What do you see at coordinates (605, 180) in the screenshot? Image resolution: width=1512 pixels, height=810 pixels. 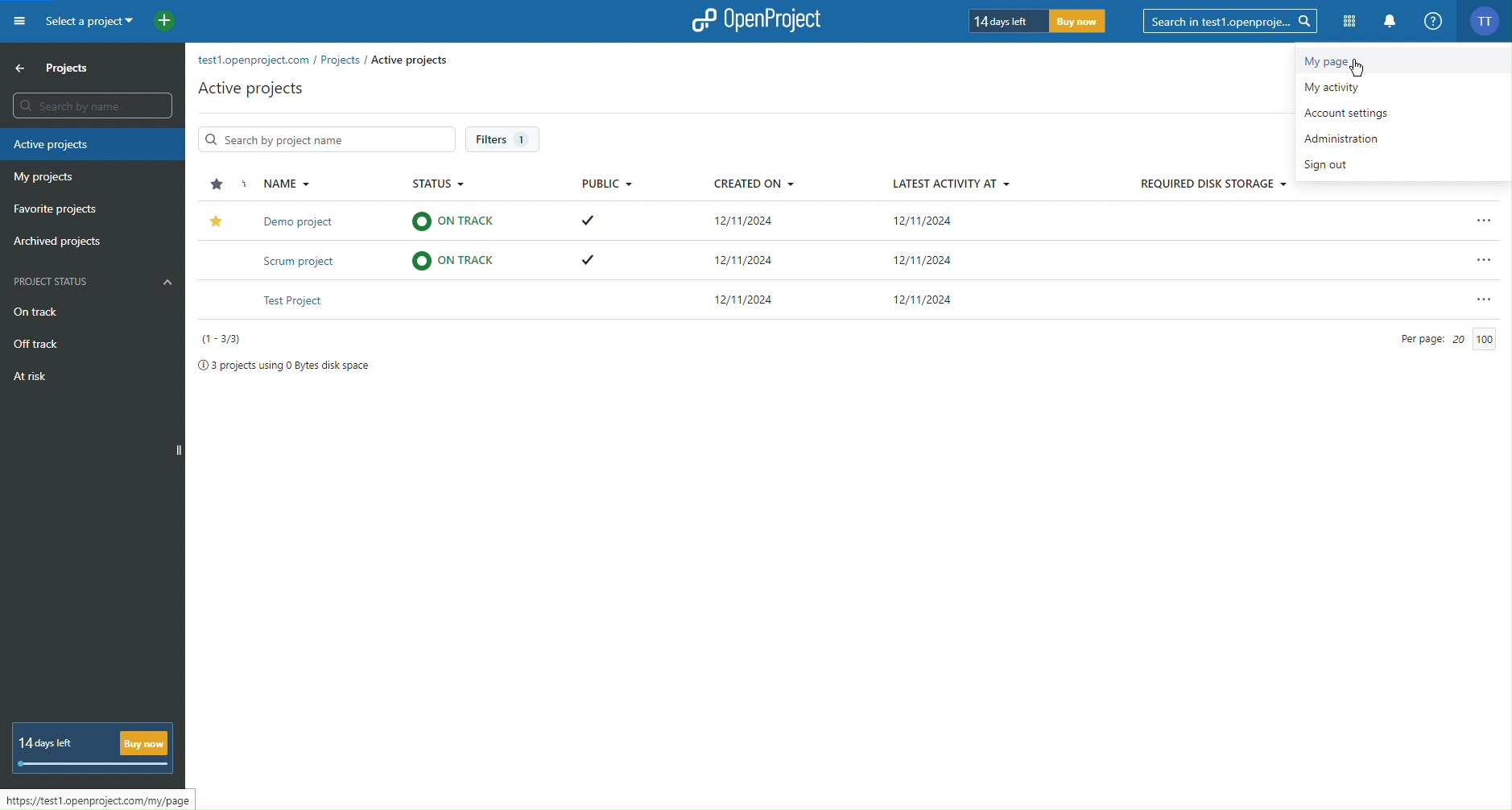 I see `Public` at bounding box center [605, 180].